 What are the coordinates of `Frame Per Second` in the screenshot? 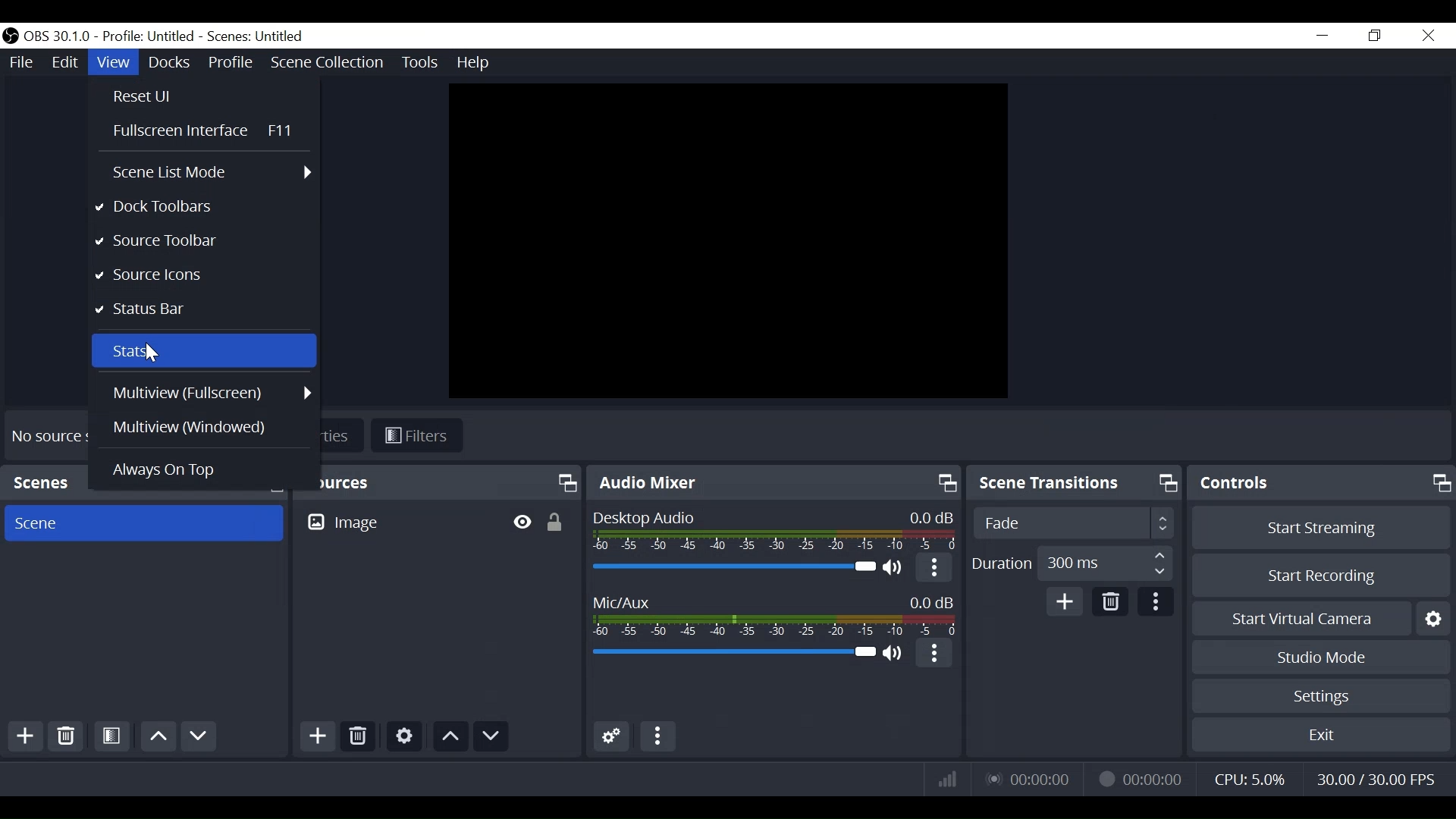 It's located at (1375, 780).